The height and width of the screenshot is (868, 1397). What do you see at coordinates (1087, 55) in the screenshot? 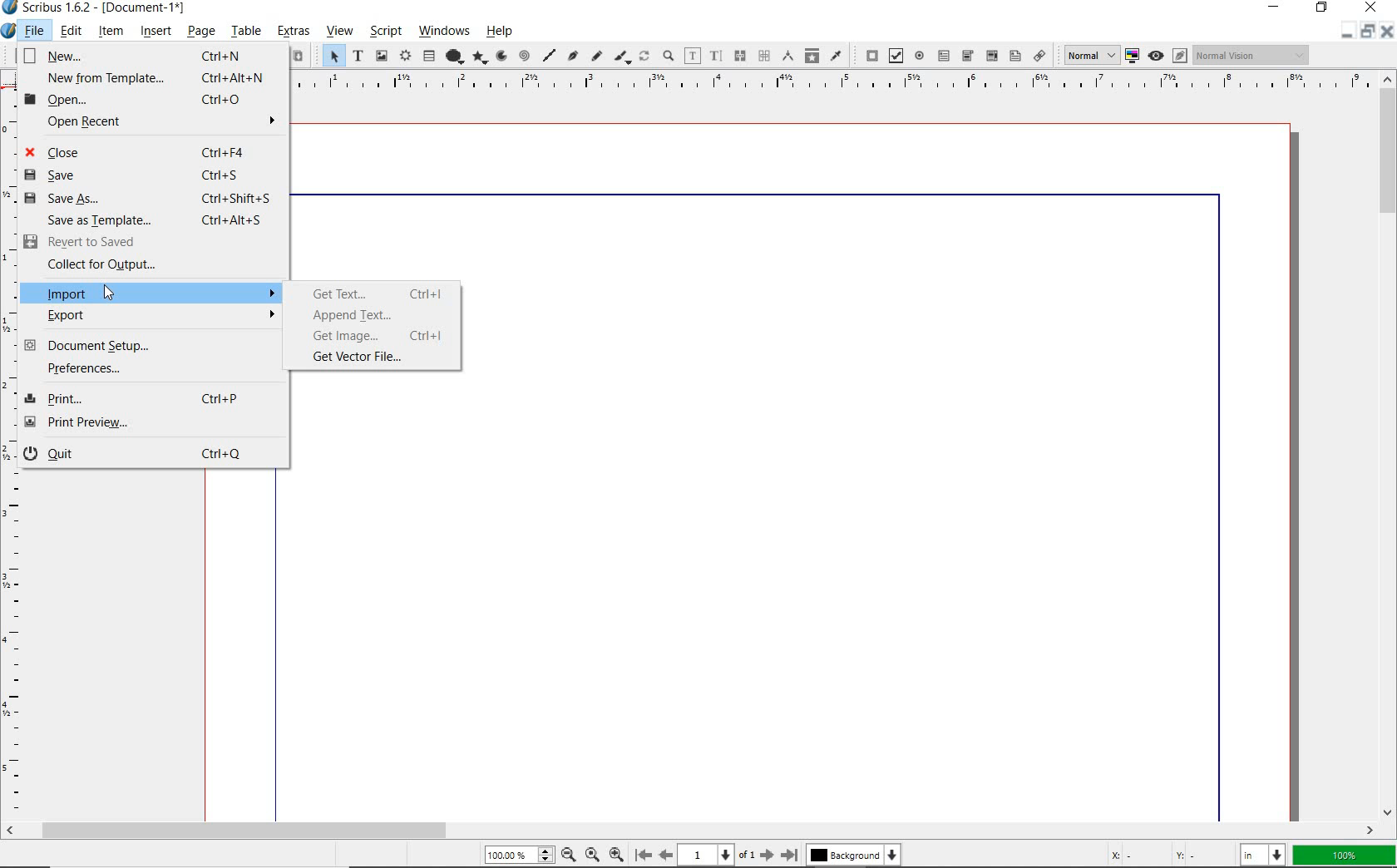
I see `Normal` at bounding box center [1087, 55].